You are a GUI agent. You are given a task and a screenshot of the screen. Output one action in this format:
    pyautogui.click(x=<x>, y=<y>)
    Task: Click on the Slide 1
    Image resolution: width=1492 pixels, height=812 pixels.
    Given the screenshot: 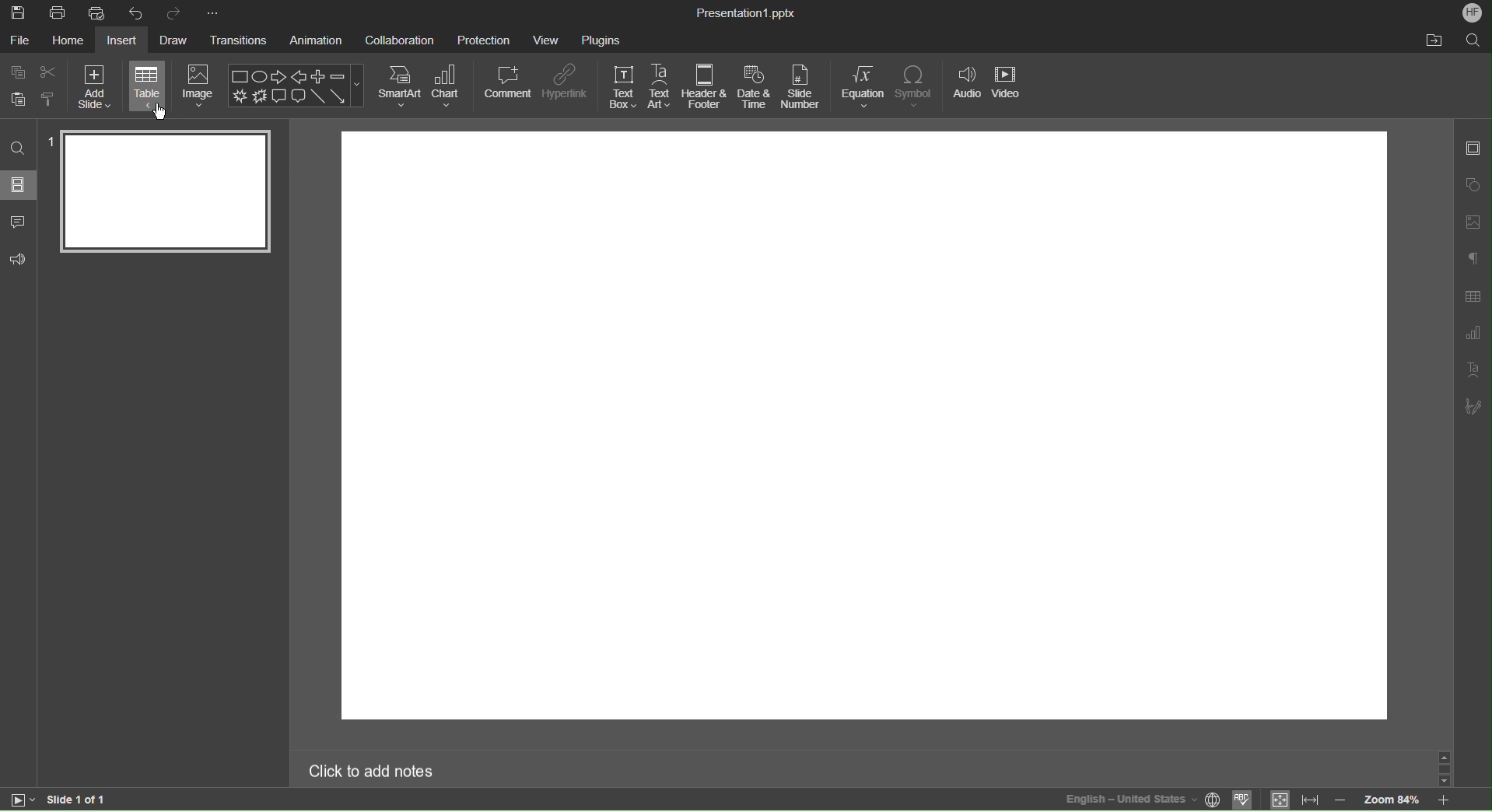 What is the action you would take?
    pyautogui.click(x=166, y=193)
    